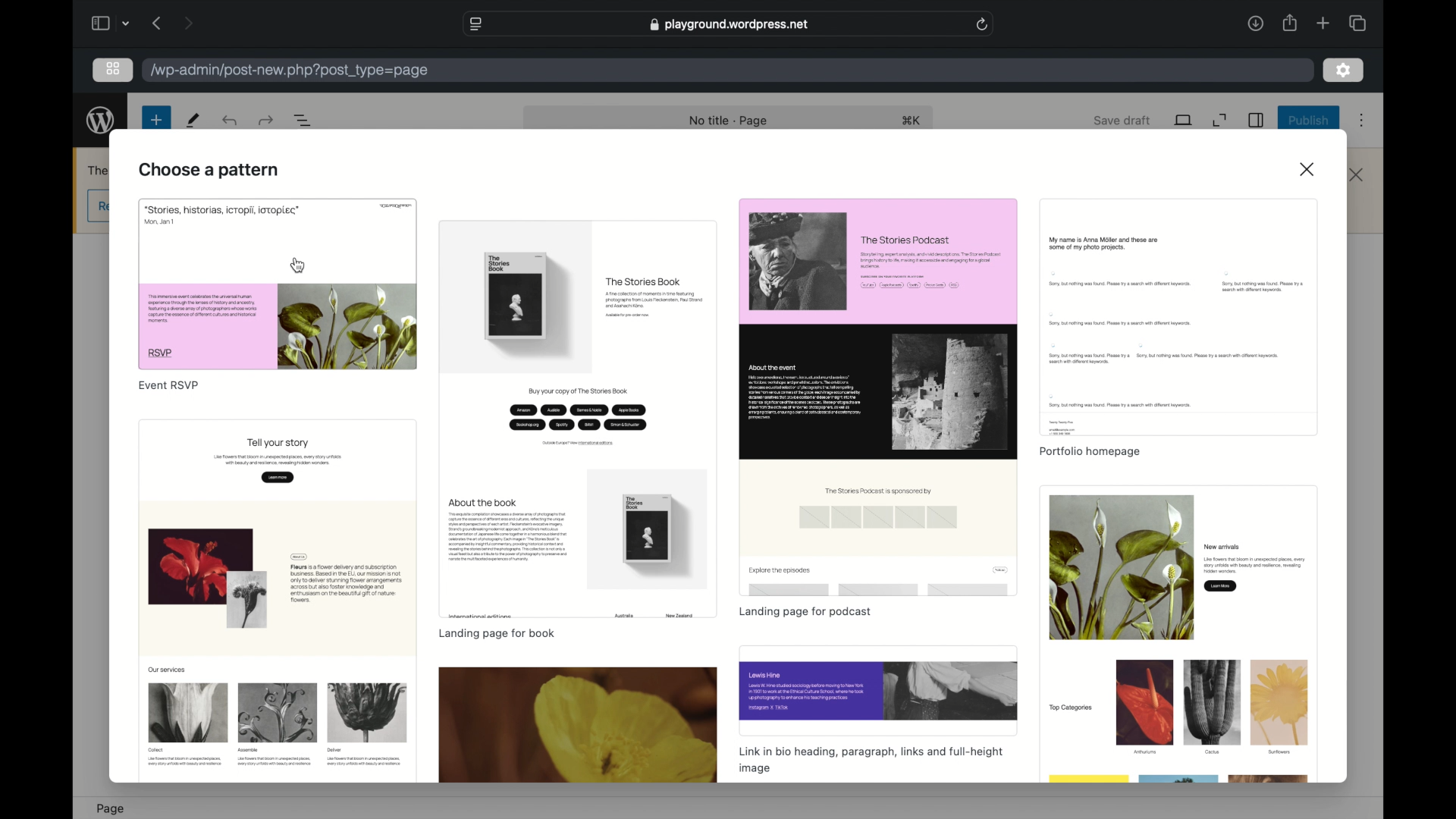 The width and height of the screenshot is (1456, 819). I want to click on wordpress  address, so click(290, 71).